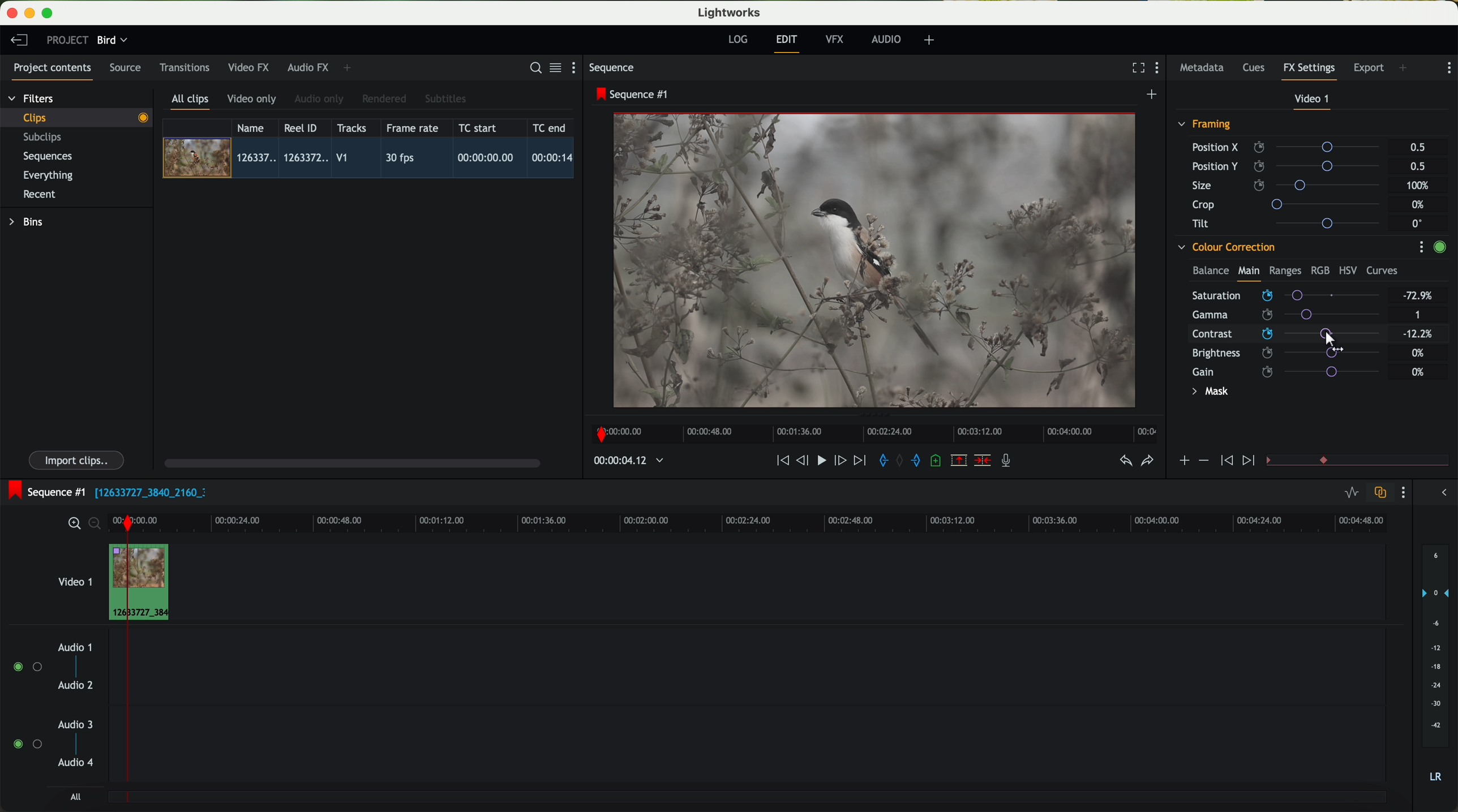 The height and width of the screenshot is (812, 1458). What do you see at coordinates (1257, 68) in the screenshot?
I see `cues` at bounding box center [1257, 68].